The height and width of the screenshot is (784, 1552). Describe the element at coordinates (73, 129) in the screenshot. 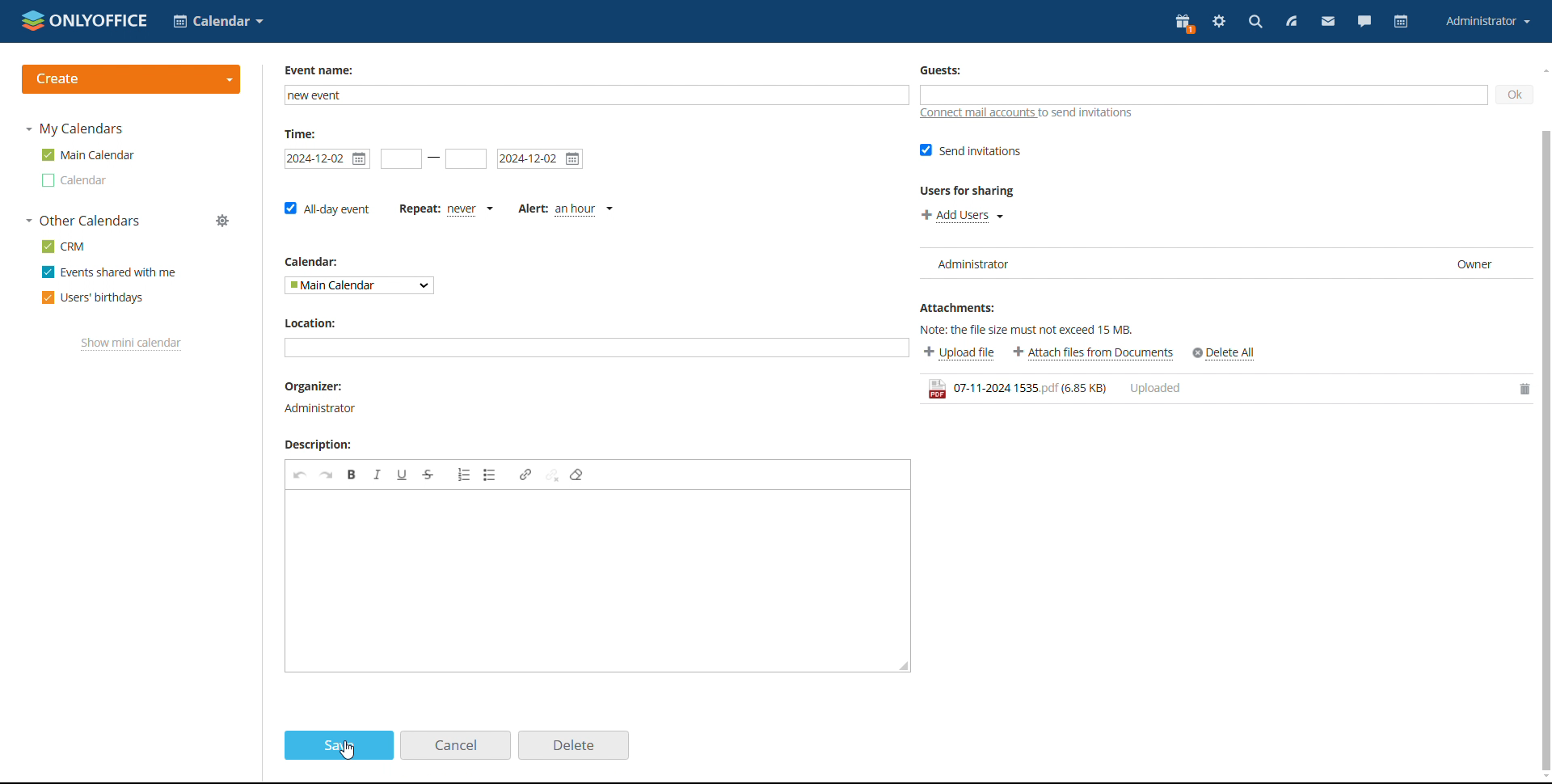

I see `my calendars` at that location.